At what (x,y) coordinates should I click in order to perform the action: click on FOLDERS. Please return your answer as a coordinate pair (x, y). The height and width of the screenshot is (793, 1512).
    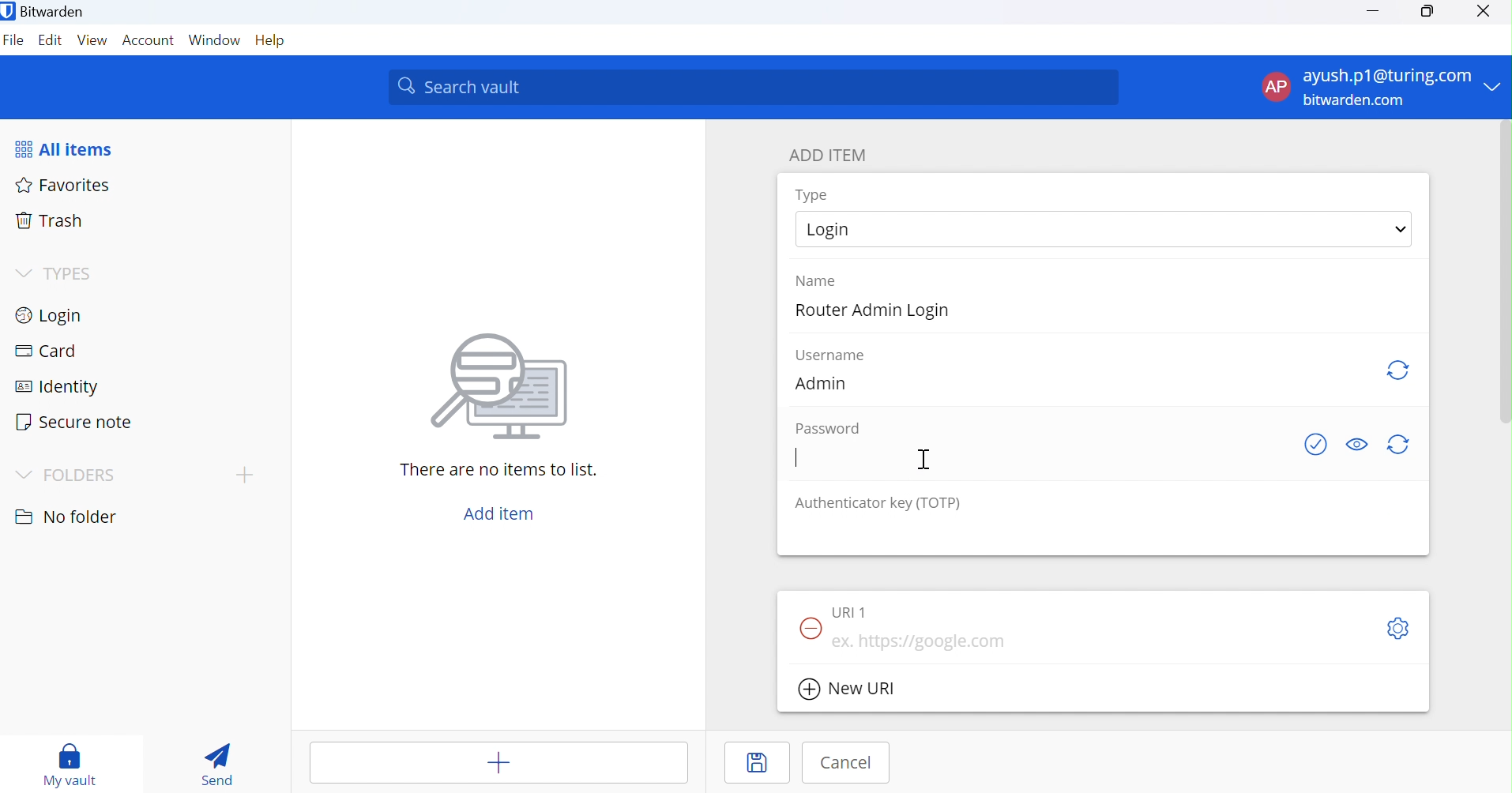
    Looking at the image, I should click on (70, 472).